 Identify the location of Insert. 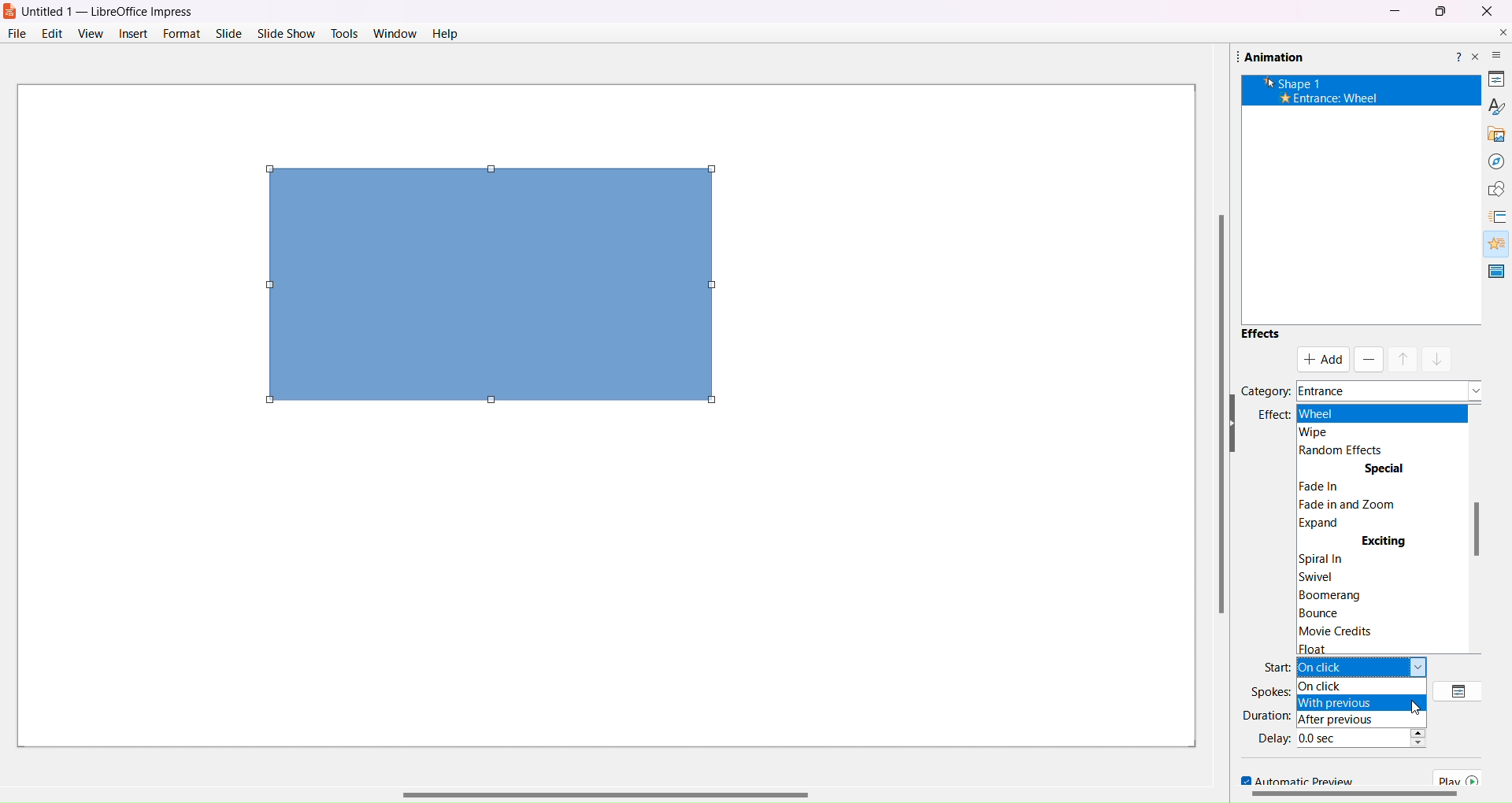
(132, 33).